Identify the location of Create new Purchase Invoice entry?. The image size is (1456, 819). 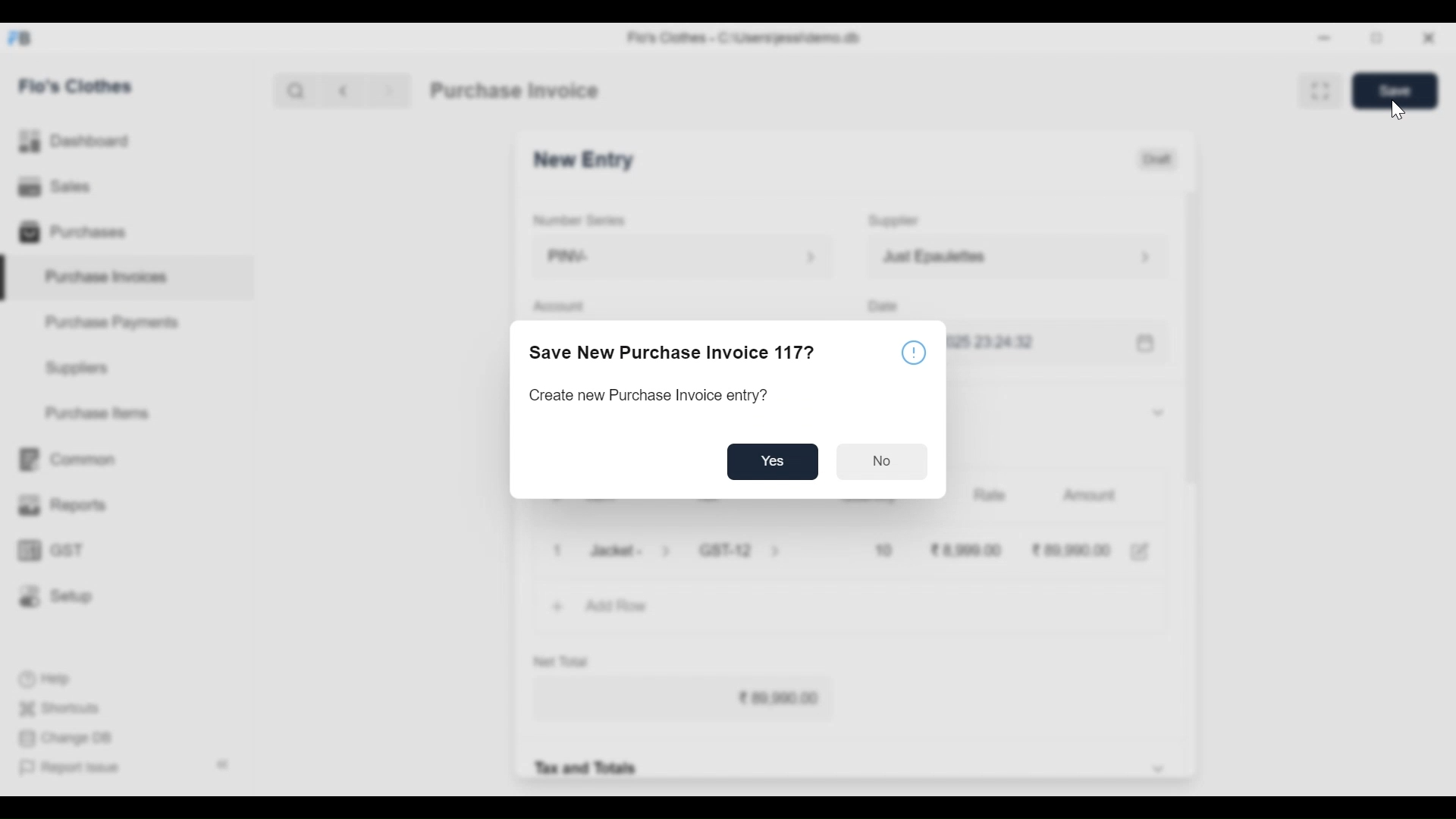
(648, 397).